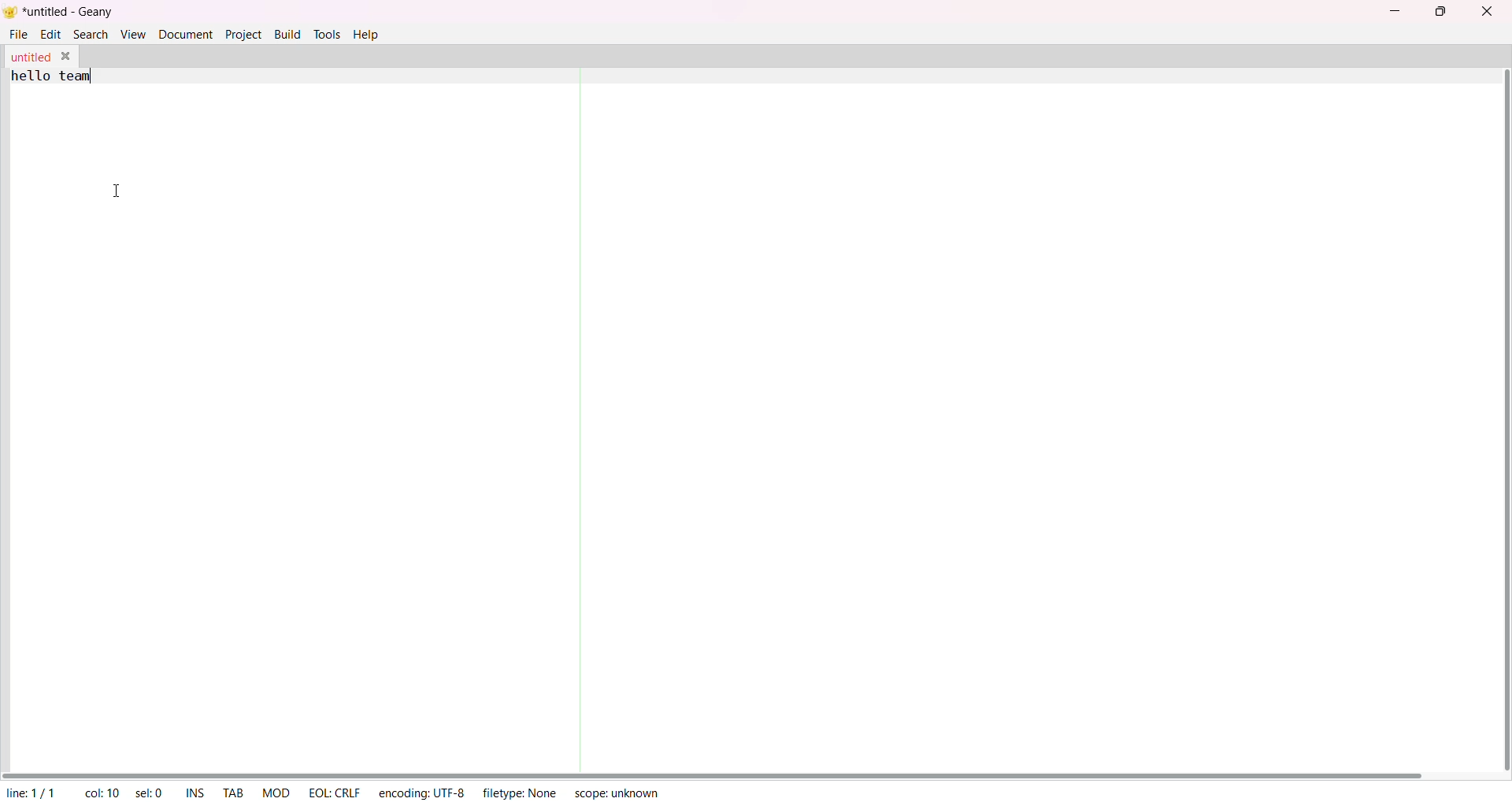  What do you see at coordinates (102, 792) in the screenshot?
I see `column: 10` at bounding box center [102, 792].